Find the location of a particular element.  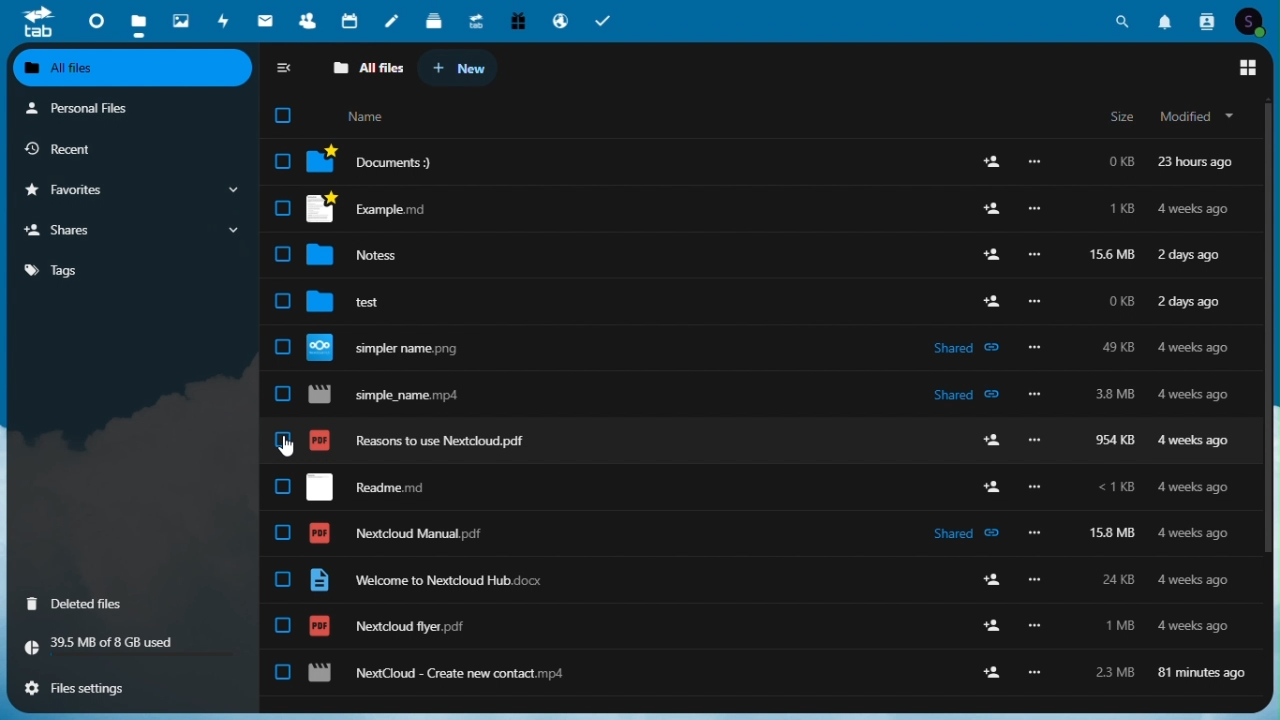

scroll bar is located at coordinates (1272, 327).